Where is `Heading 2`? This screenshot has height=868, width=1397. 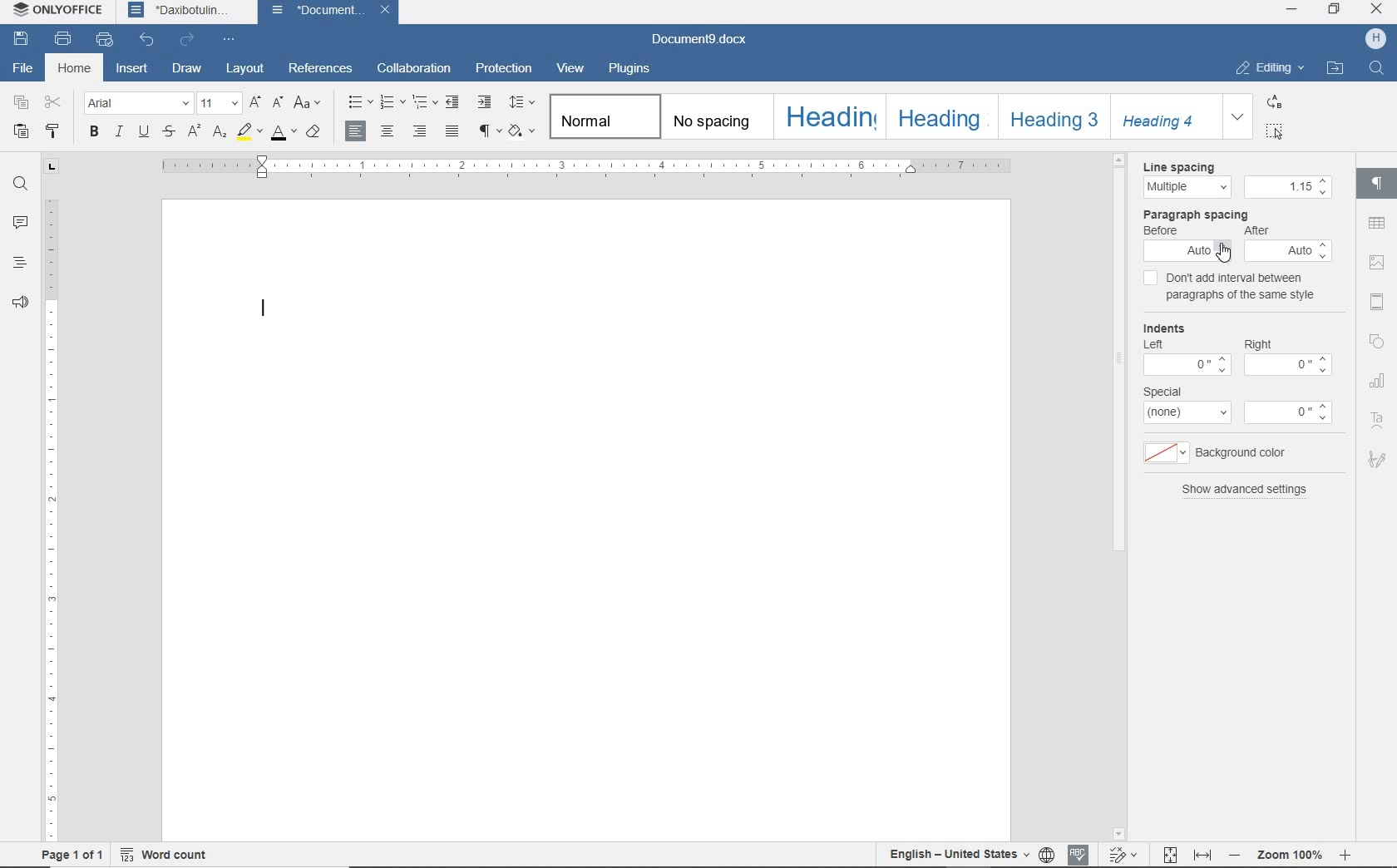 Heading 2 is located at coordinates (940, 116).